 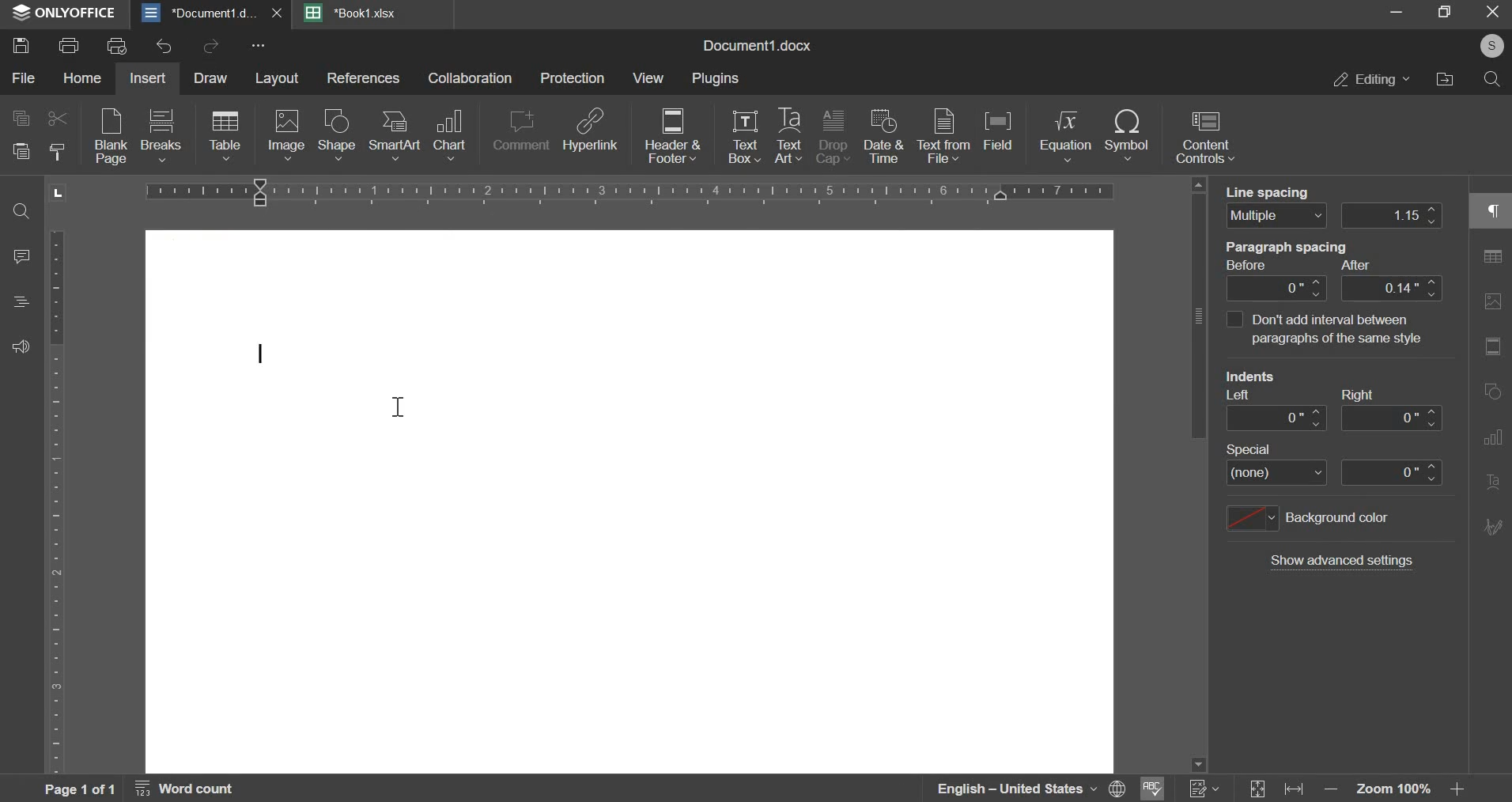 I want to click on print preview, so click(x=119, y=45).